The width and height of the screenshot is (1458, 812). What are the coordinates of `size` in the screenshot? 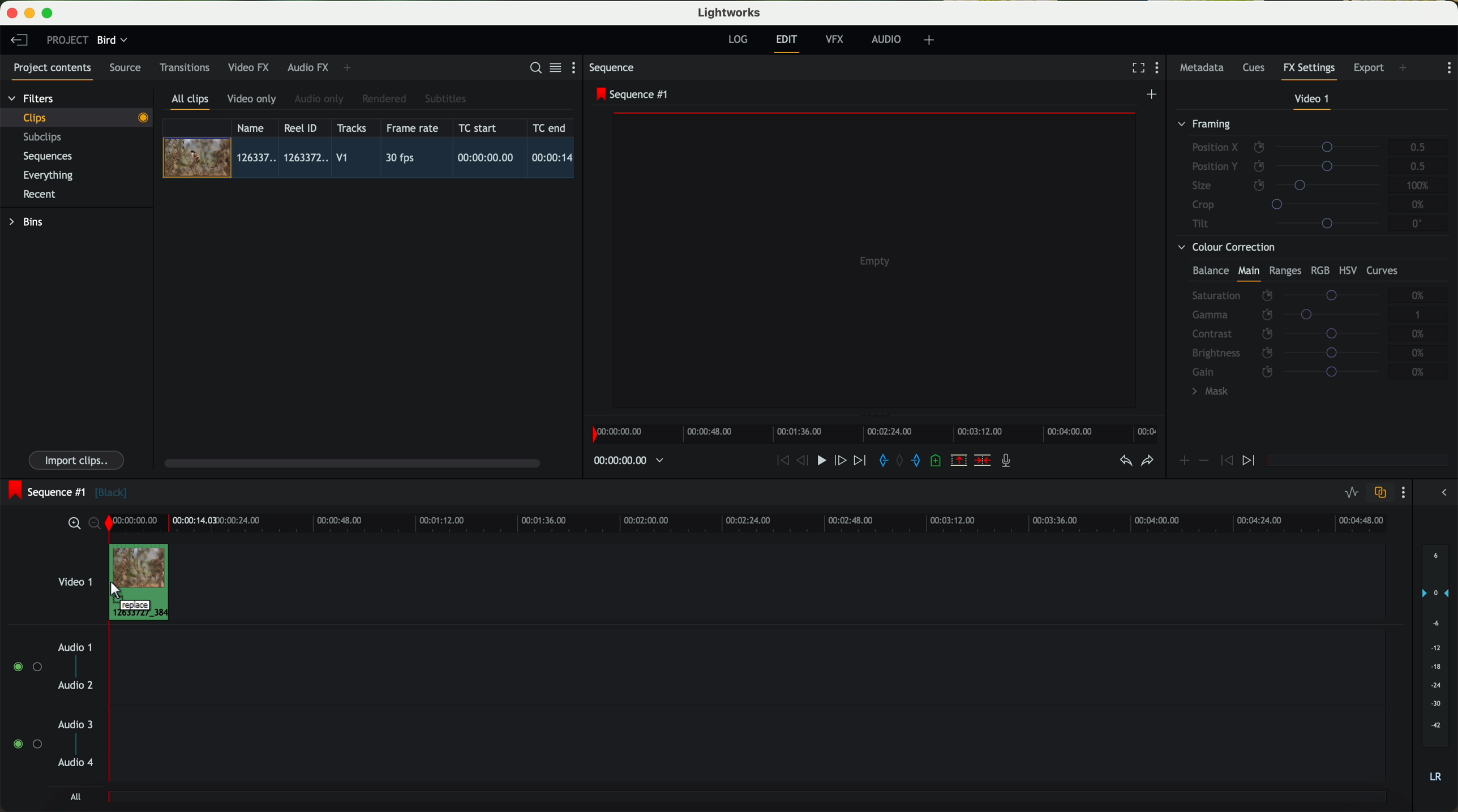 It's located at (1289, 186).